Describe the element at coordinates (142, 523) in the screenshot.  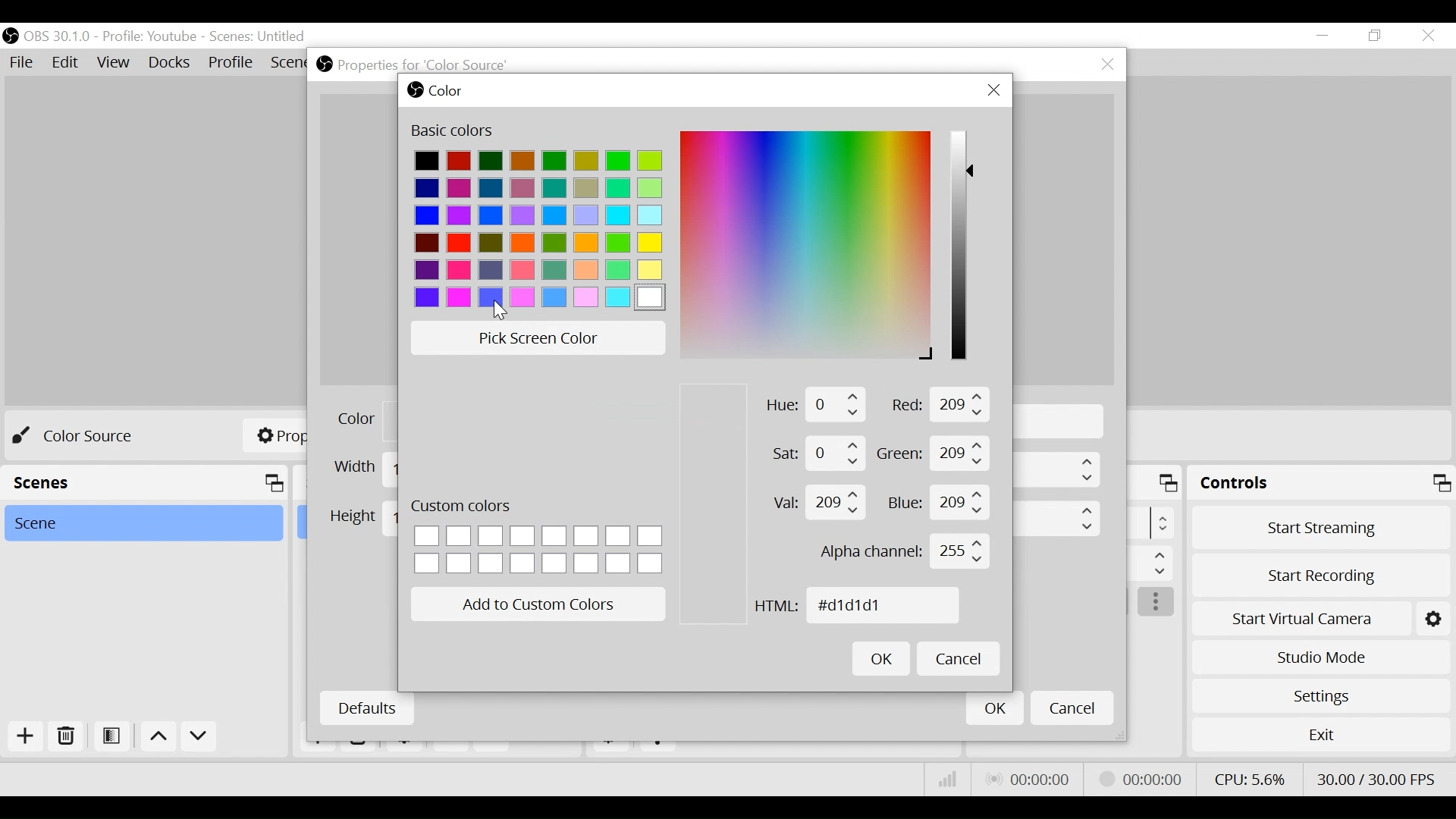
I see `Scene` at that location.